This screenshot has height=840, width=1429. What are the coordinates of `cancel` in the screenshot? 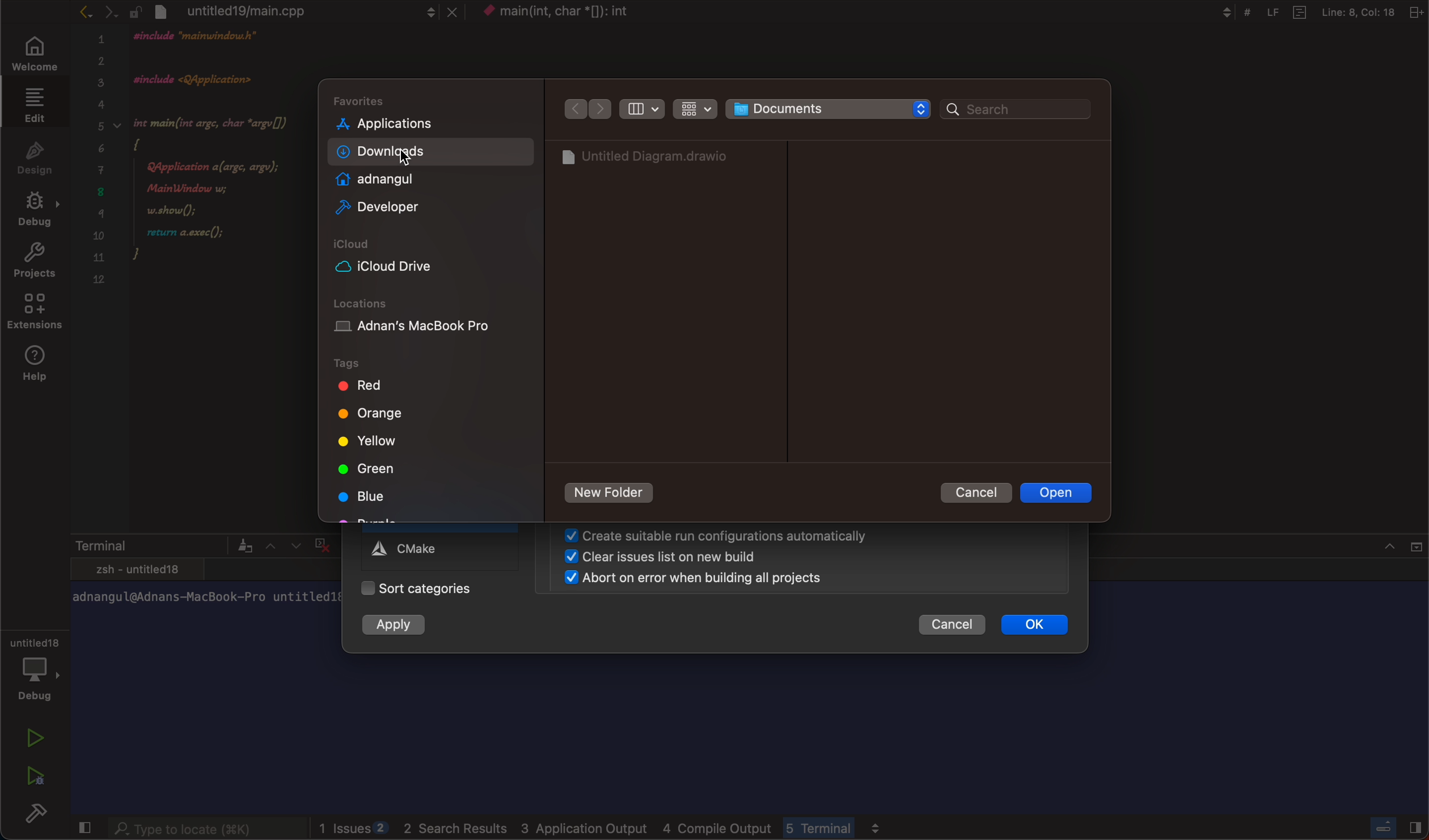 It's located at (953, 624).